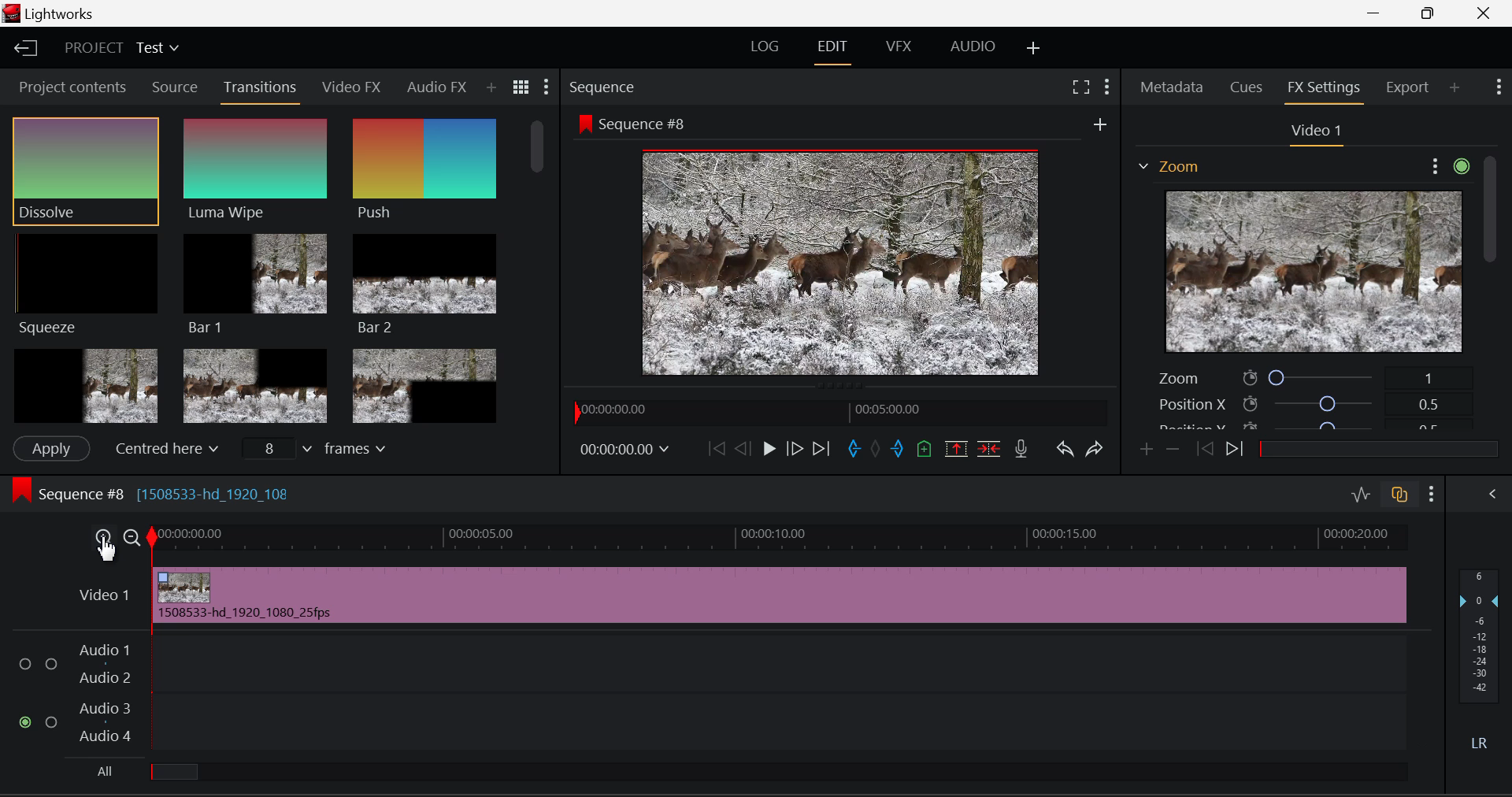 This screenshot has height=797, width=1512. Describe the element at coordinates (622, 450) in the screenshot. I see `Frame Time` at that location.